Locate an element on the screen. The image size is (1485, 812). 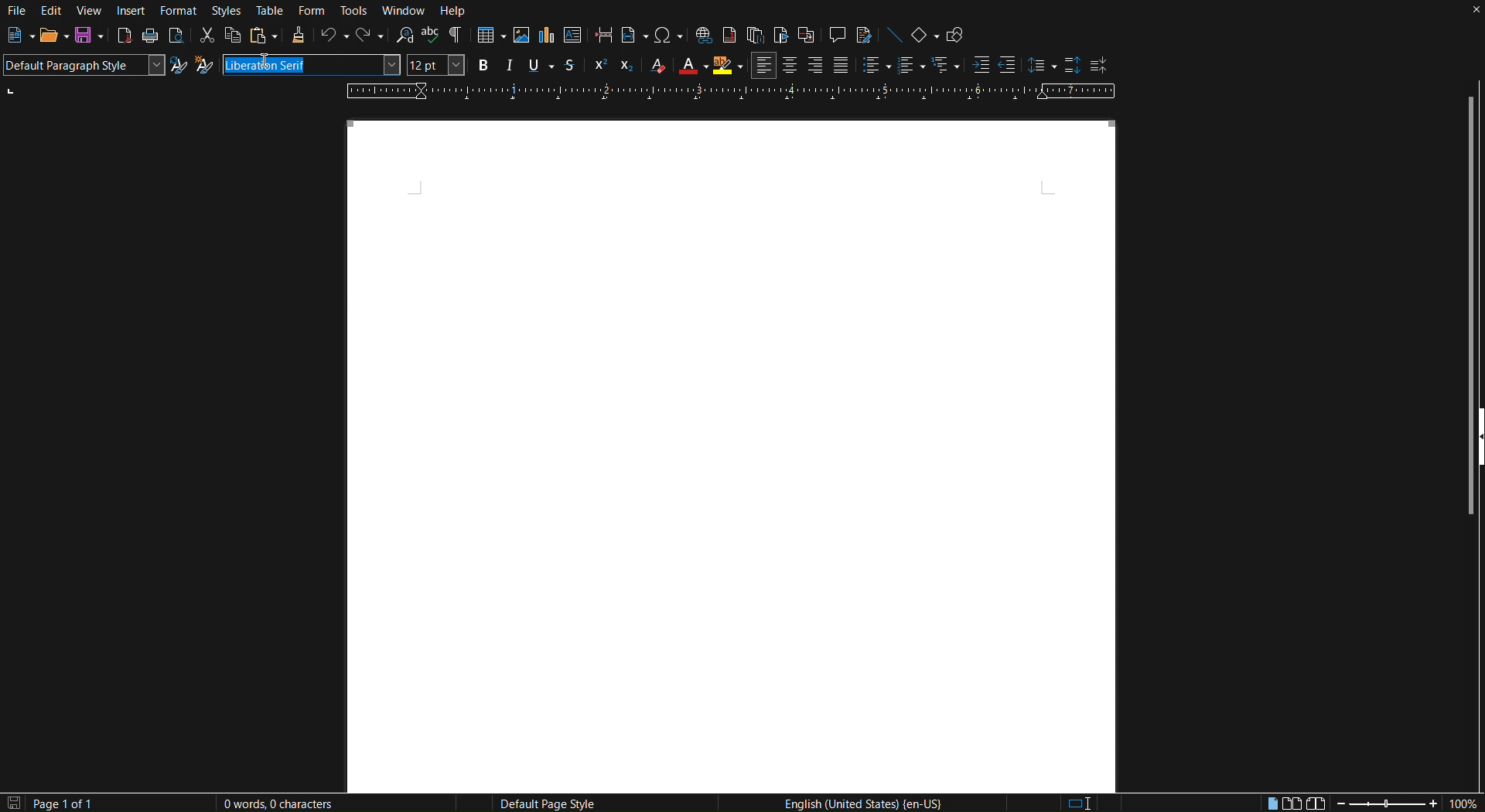
Underline is located at coordinates (540, 65).